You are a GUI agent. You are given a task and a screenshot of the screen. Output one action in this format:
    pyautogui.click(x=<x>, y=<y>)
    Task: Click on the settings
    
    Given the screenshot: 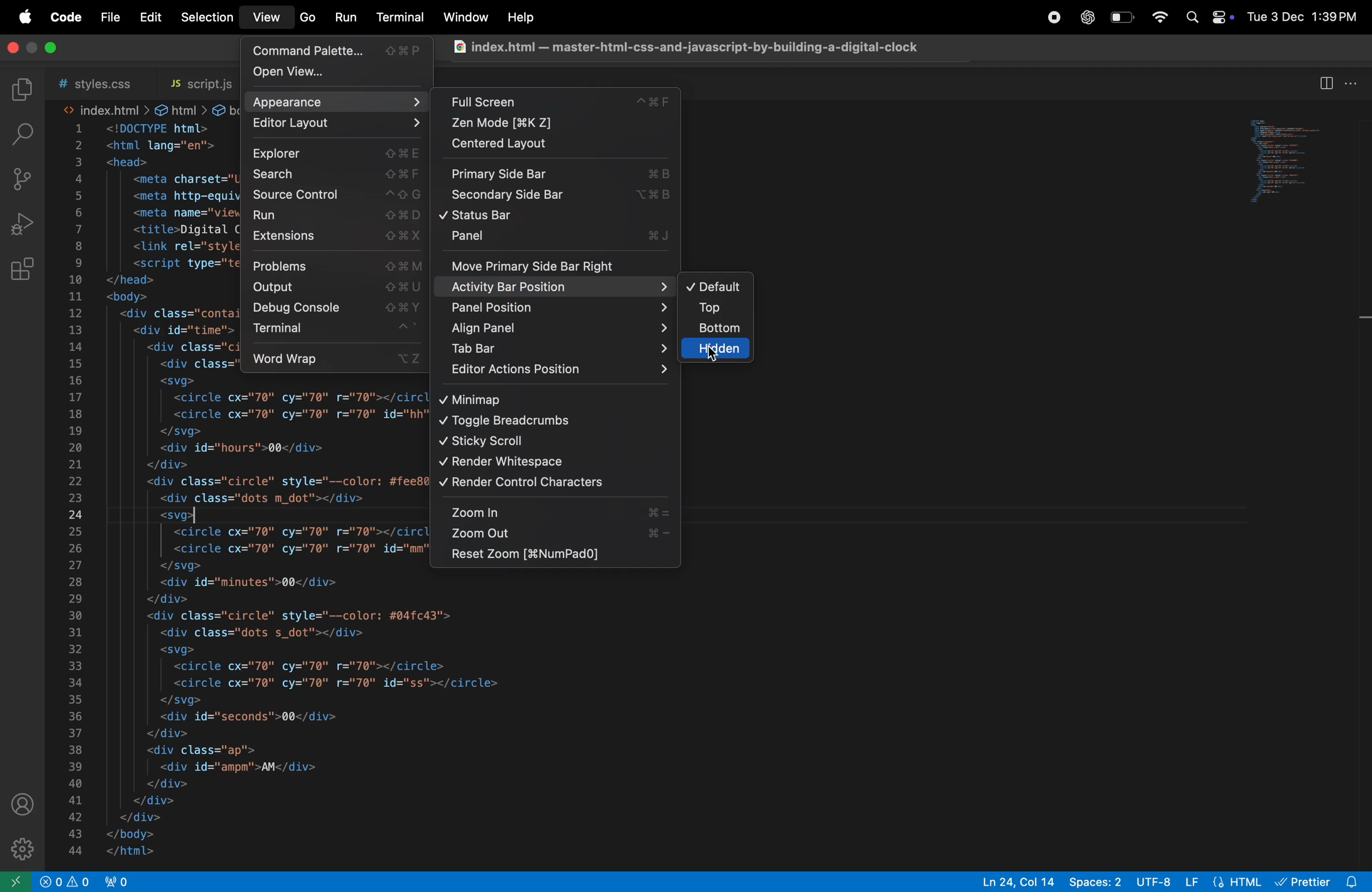 What is the action you would take?
    pyautogui.click(x=24, y=846)
    